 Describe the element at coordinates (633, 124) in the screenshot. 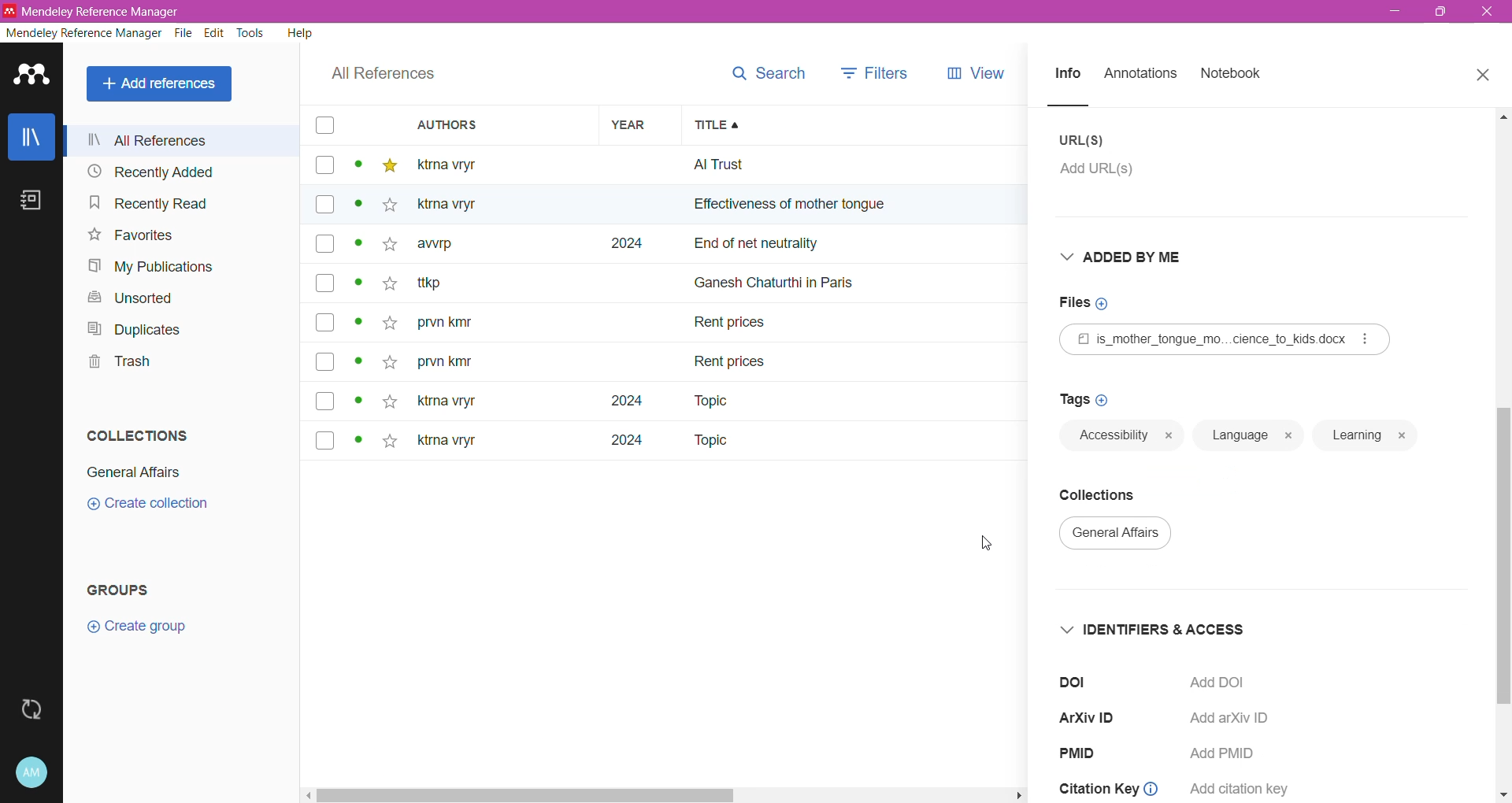

I see `Year` at that location.